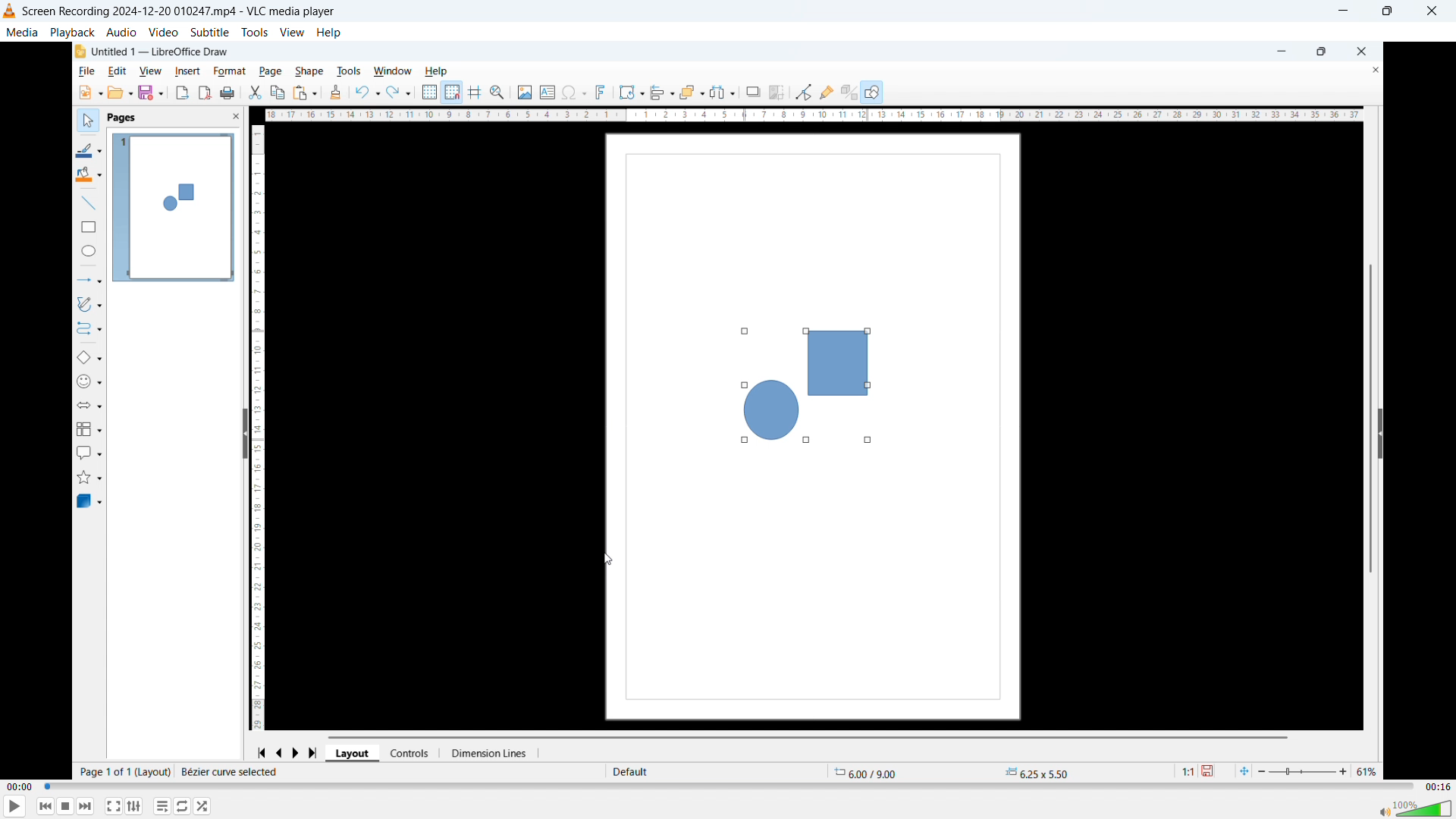 This screenshot has height=819, width=1456. Describe the element at coordinates (1347, 11) in the screenshot. I see `minimise ` at that location.